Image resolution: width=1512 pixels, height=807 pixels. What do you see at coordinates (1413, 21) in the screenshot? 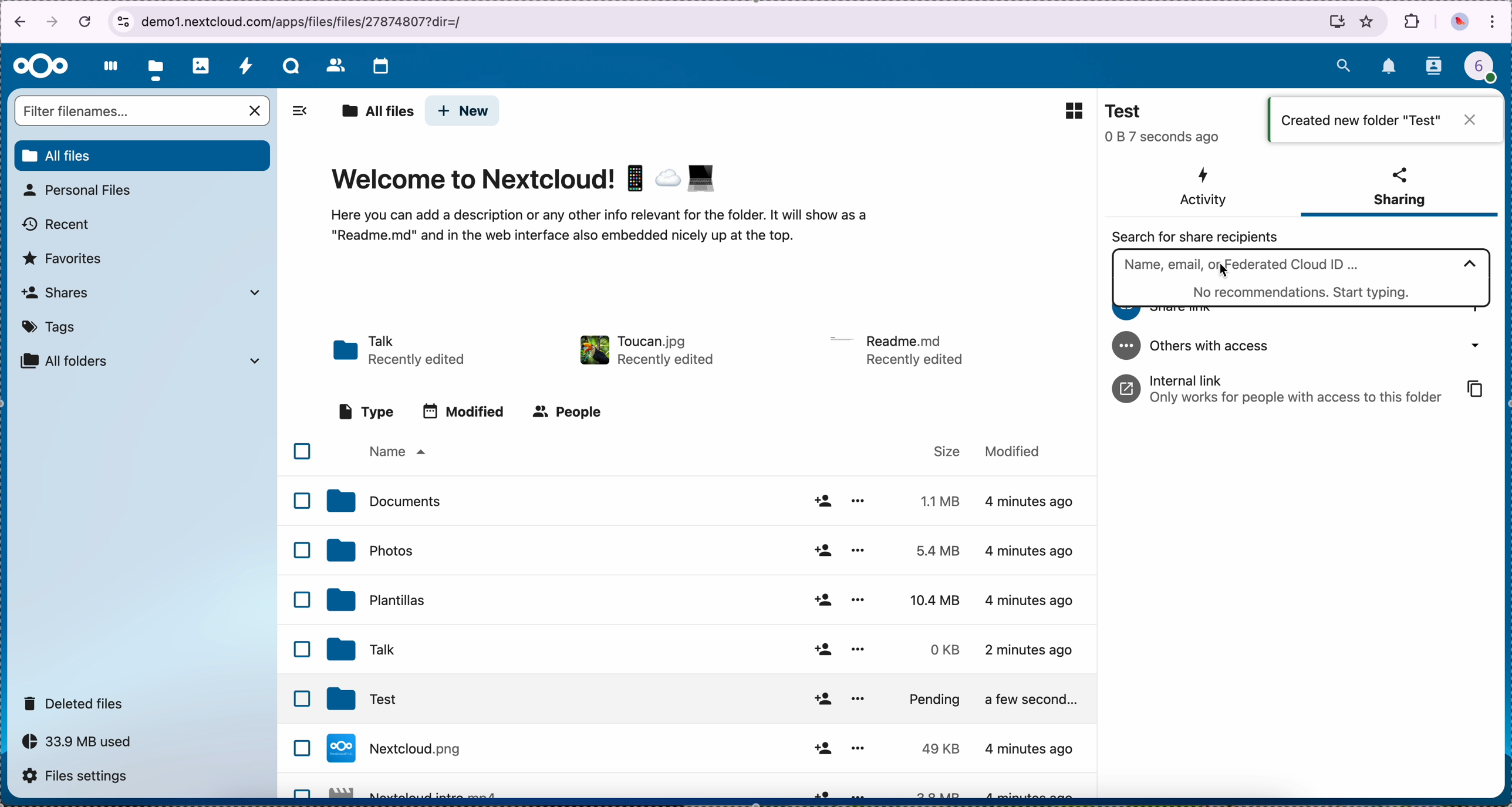
I see `extensions` at bounding box center [1413, 21].